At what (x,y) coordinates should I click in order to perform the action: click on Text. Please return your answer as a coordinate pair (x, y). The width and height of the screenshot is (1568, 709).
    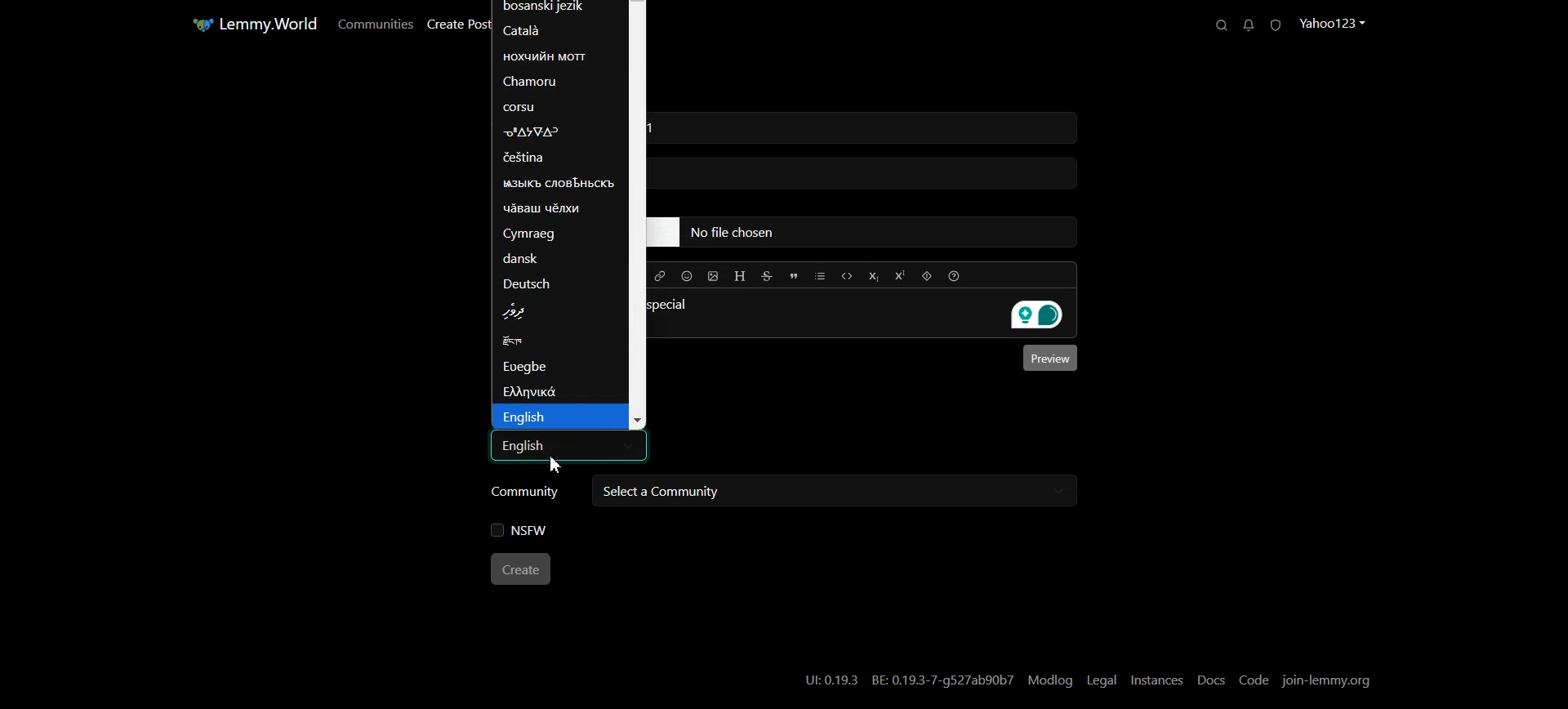
    Looking at the image, I should click on (558, 466).